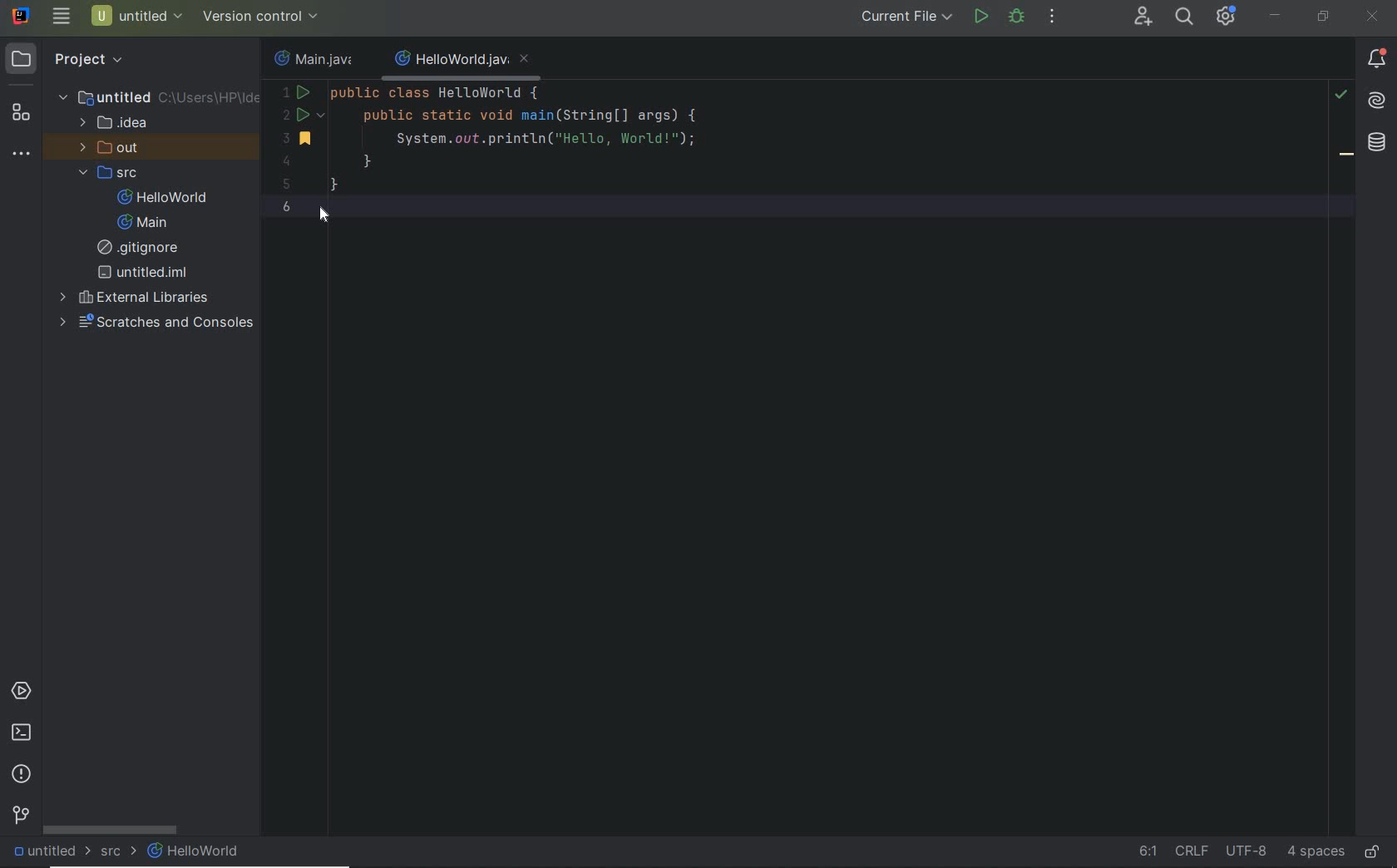 This screenshot has height=868, width=1397. Describe the element at coordinates (1347, 157) in the screenshot. I see `bookmark` at that location.